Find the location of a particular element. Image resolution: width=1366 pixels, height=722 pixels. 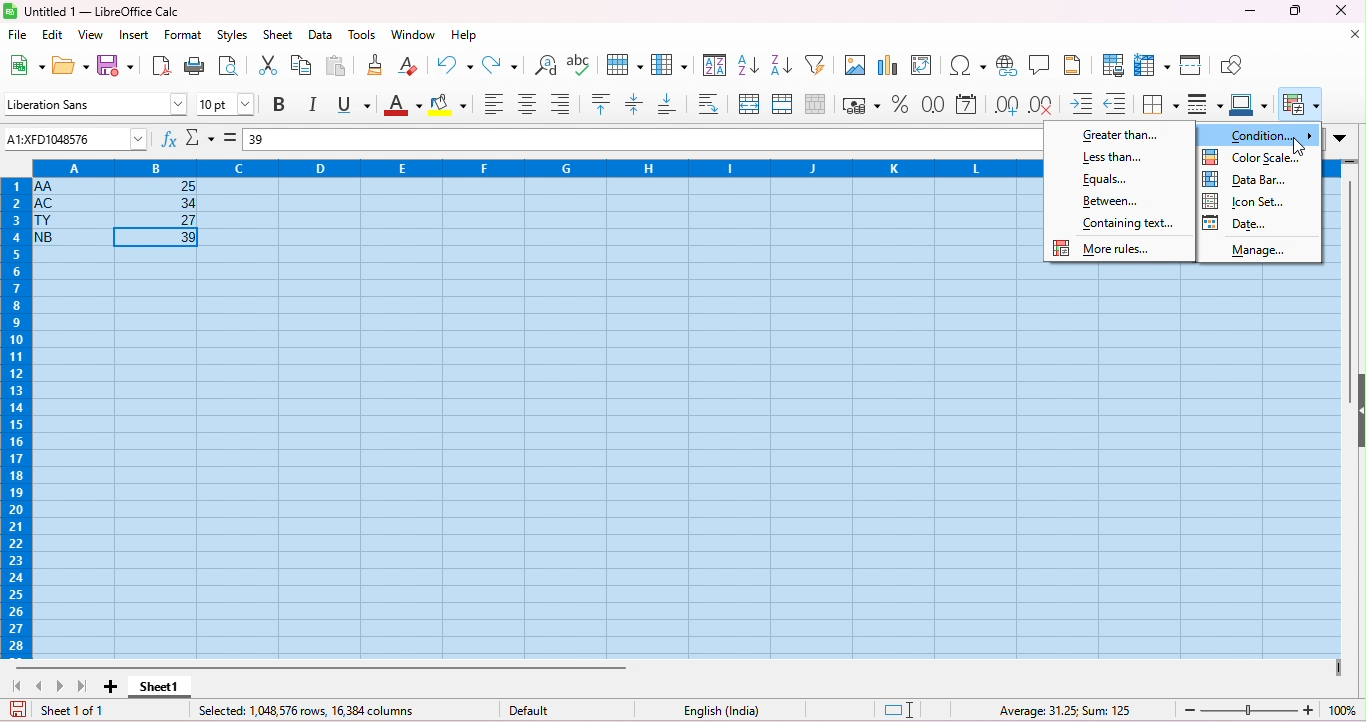

unmerge is located at coordinates (813, 103).